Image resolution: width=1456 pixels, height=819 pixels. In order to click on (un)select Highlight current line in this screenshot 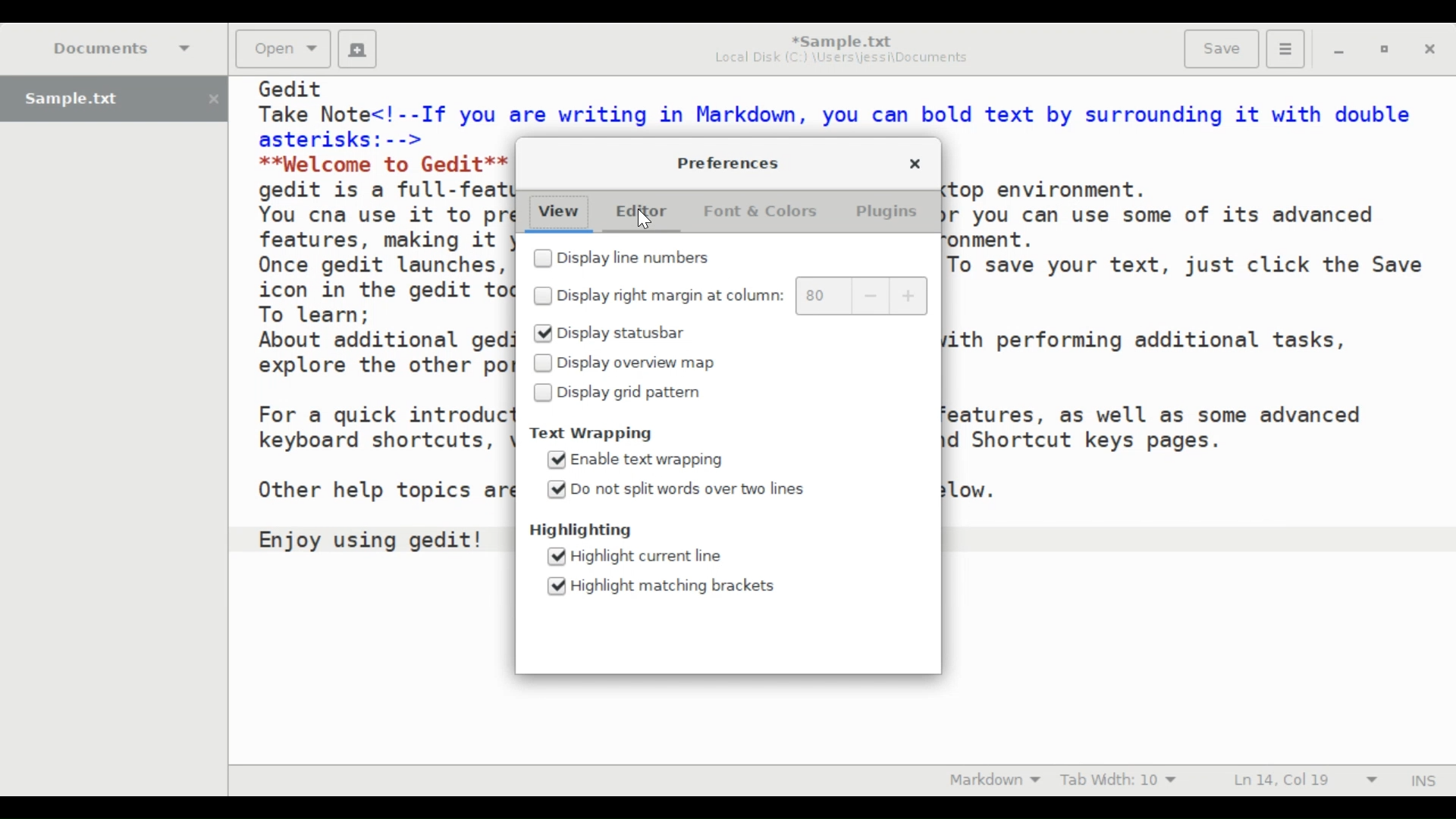, I will do `click(640, 556)`.